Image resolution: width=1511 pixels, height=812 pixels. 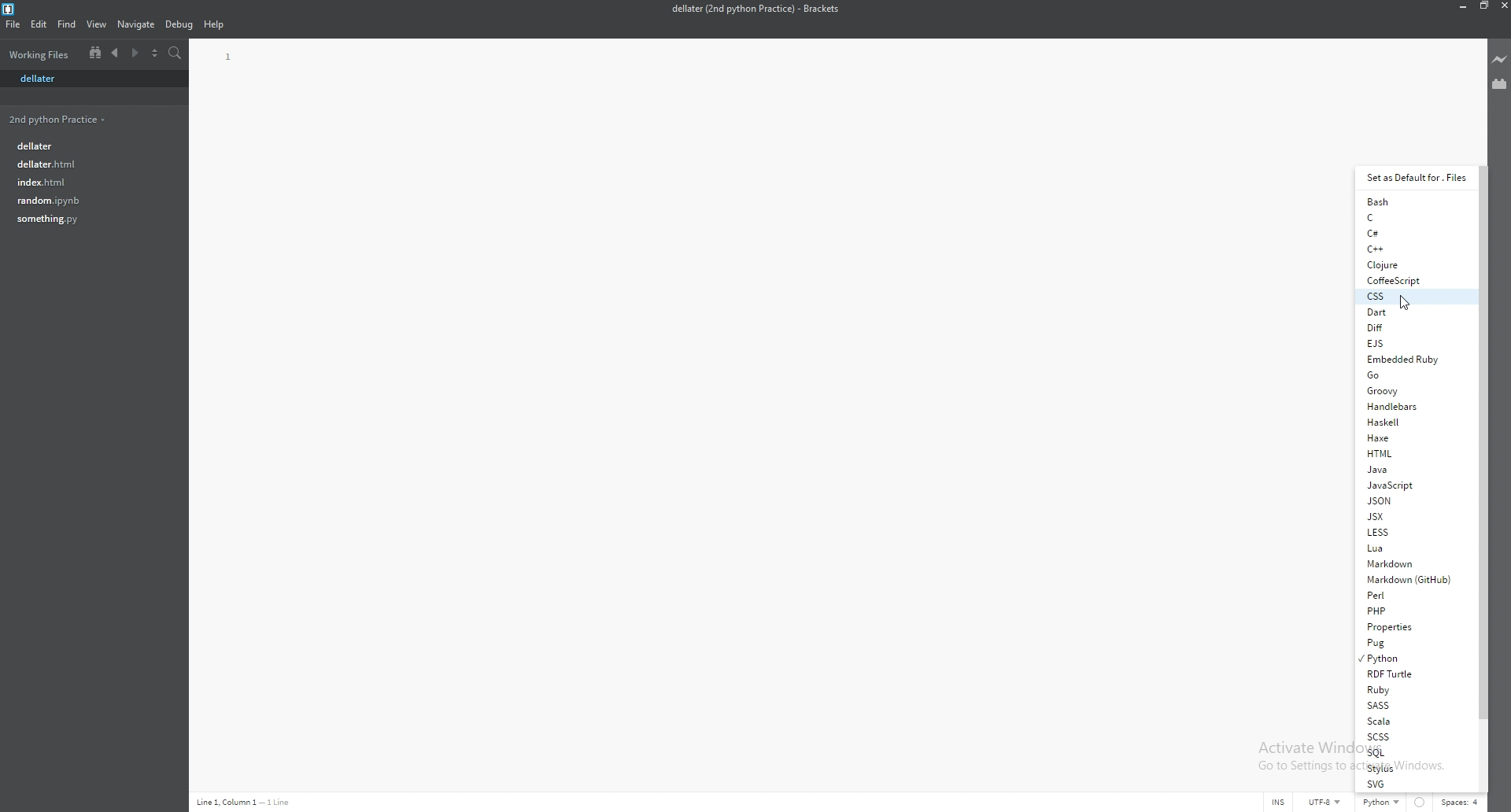 I want to click on brackets, so click(x=9, y=9).